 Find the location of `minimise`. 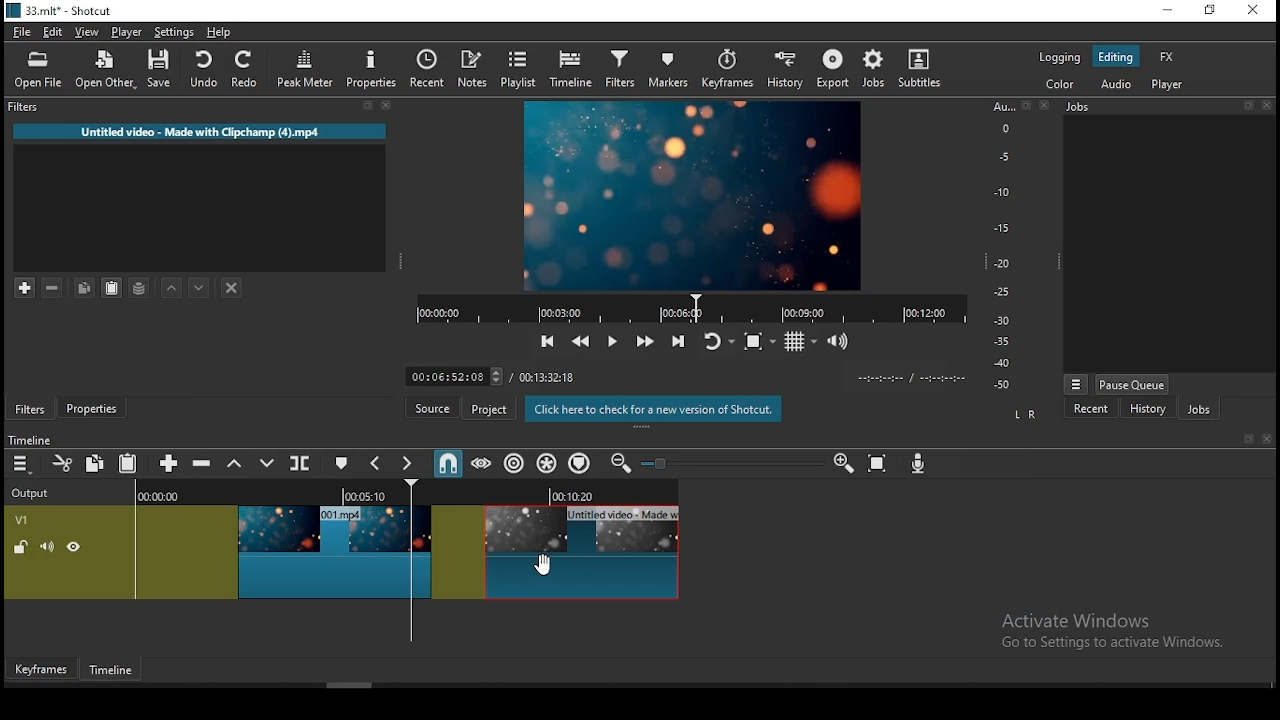

minimise is located at coordinates (1173, 11).